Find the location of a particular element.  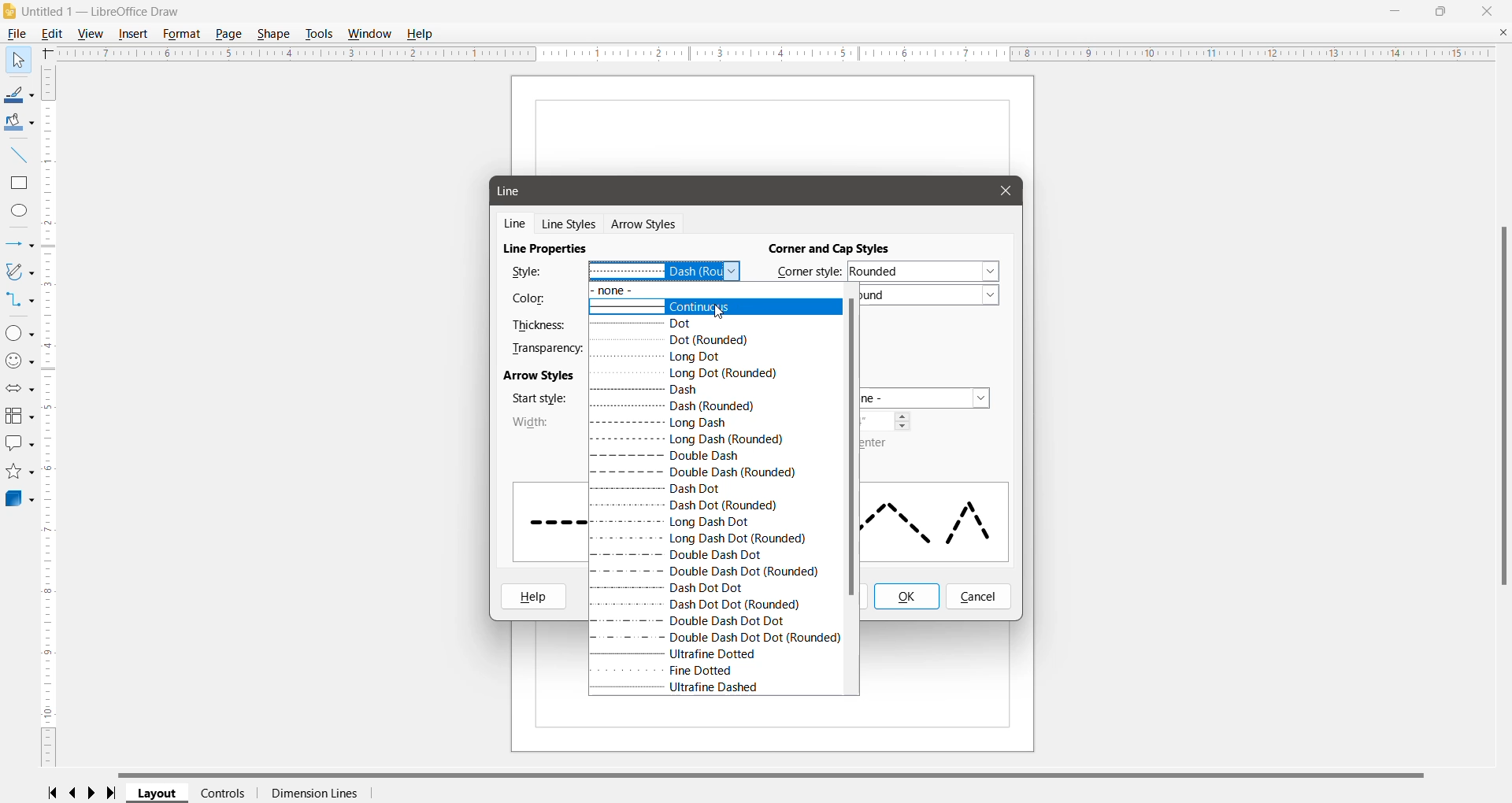

Connectors is located at coordinates (20, 301).